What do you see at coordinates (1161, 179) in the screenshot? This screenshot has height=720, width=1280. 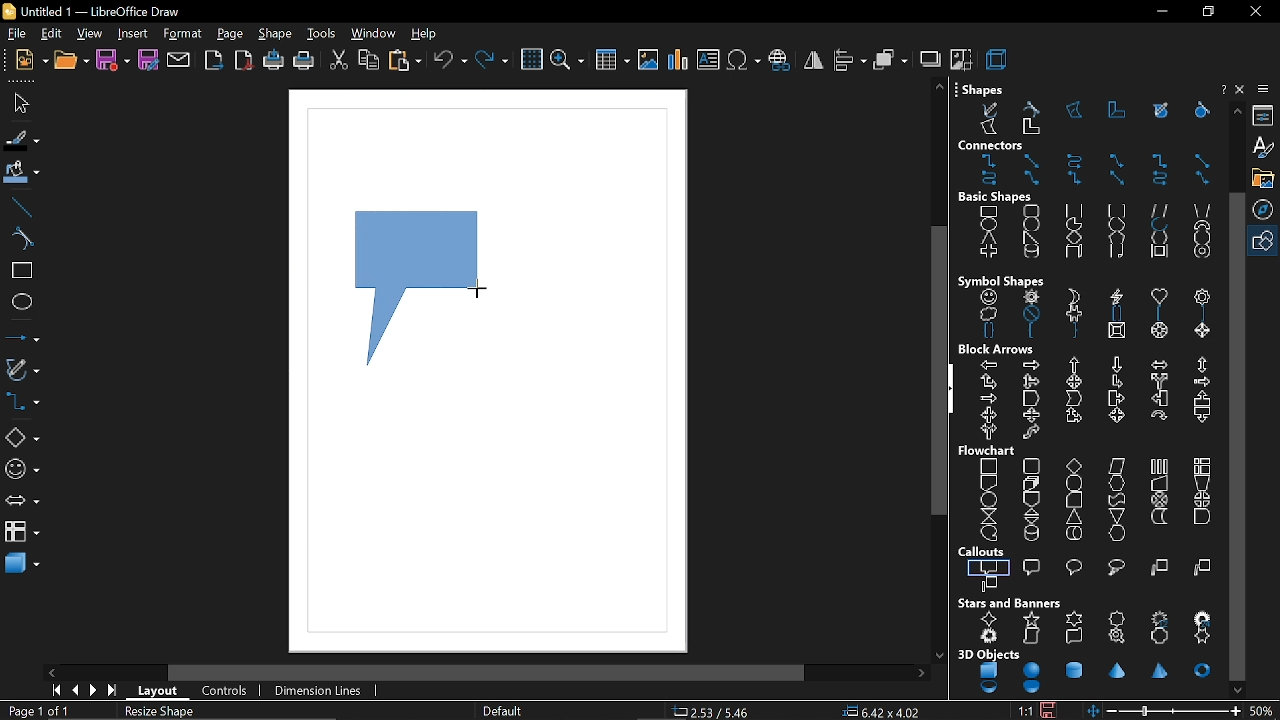 I see `curved connector with arrows` at bounding box center [1161, 179].